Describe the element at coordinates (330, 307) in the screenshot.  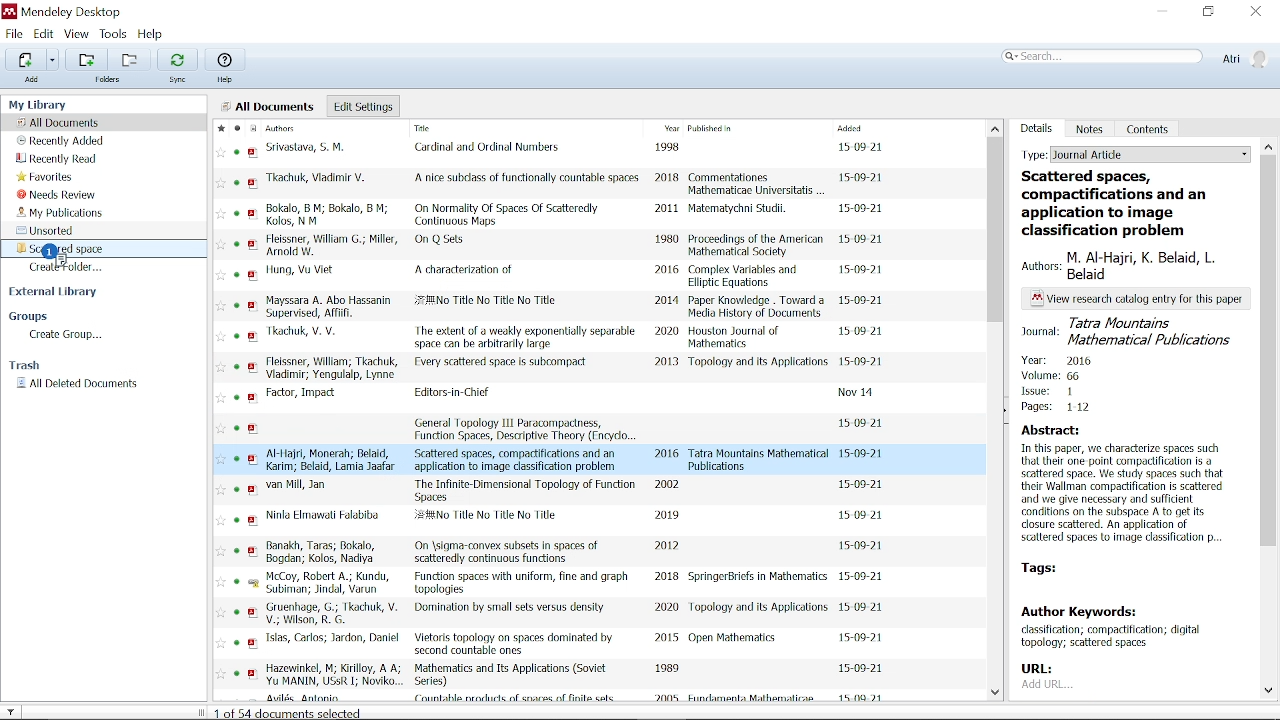
I see `authors` at that location.